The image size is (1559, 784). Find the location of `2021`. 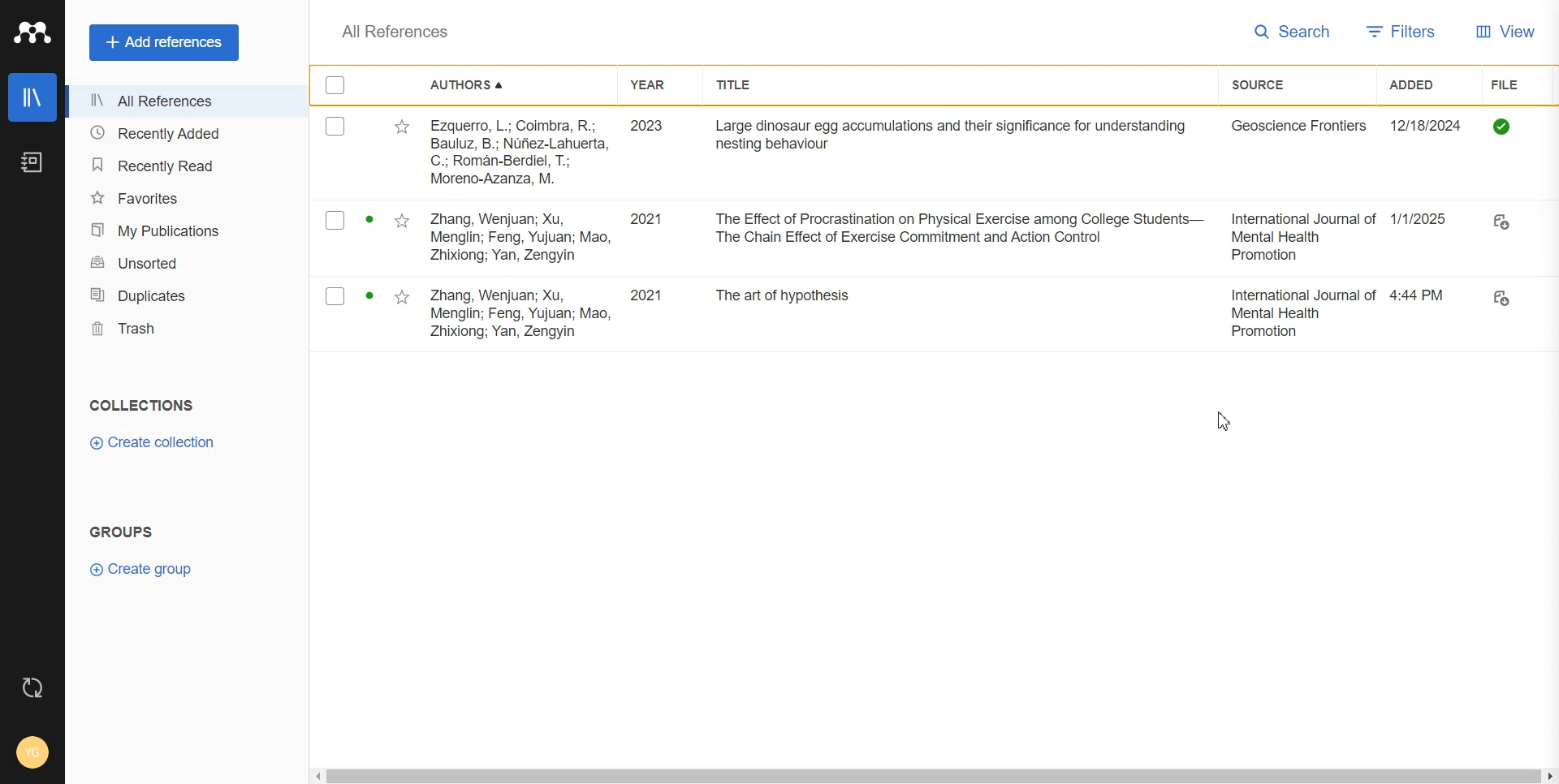

2021 is located at coordinates (650, 218).